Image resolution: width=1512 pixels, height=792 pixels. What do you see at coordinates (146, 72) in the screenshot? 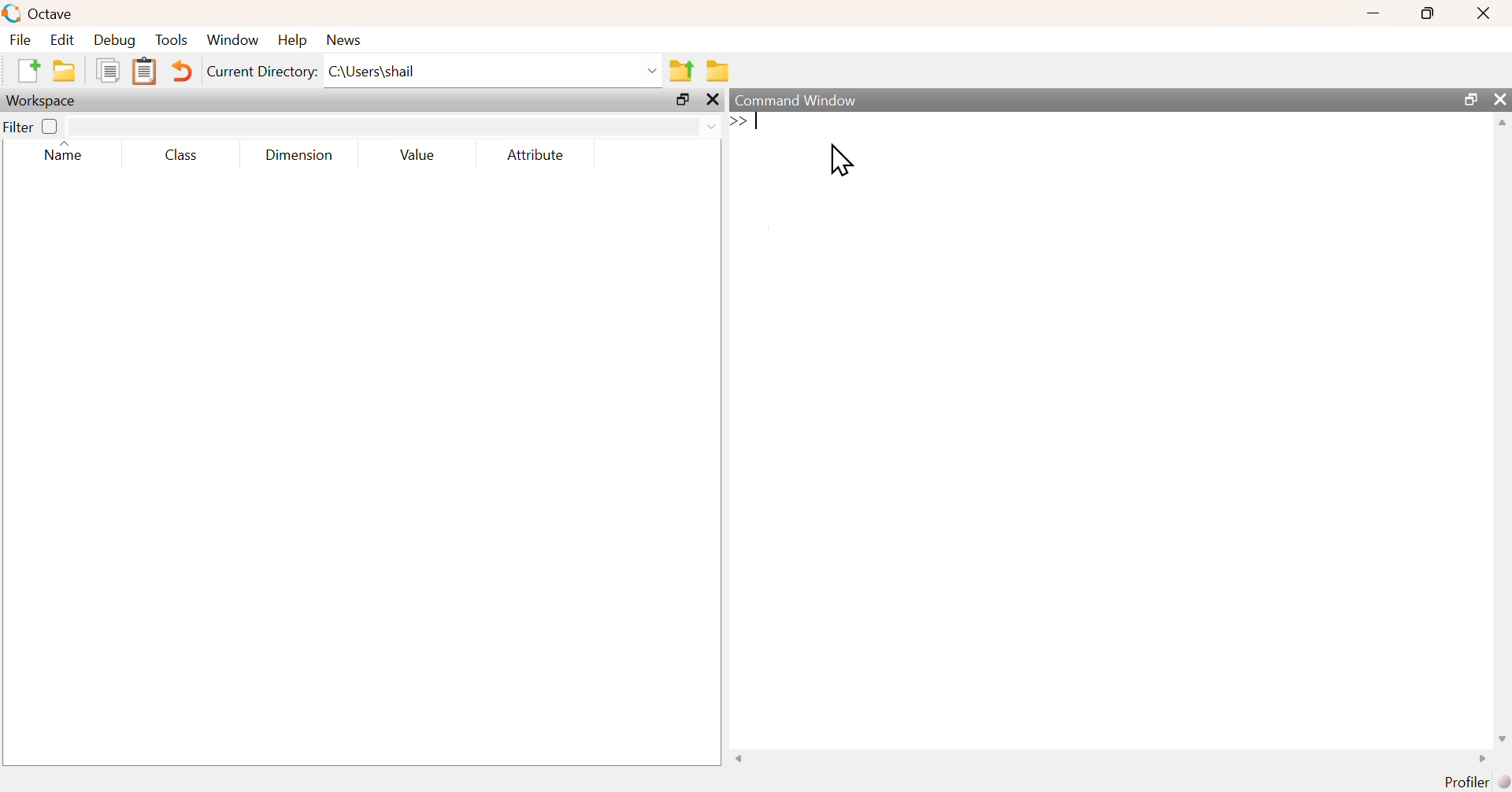
I see `paste` at bounding box center [146, 72].